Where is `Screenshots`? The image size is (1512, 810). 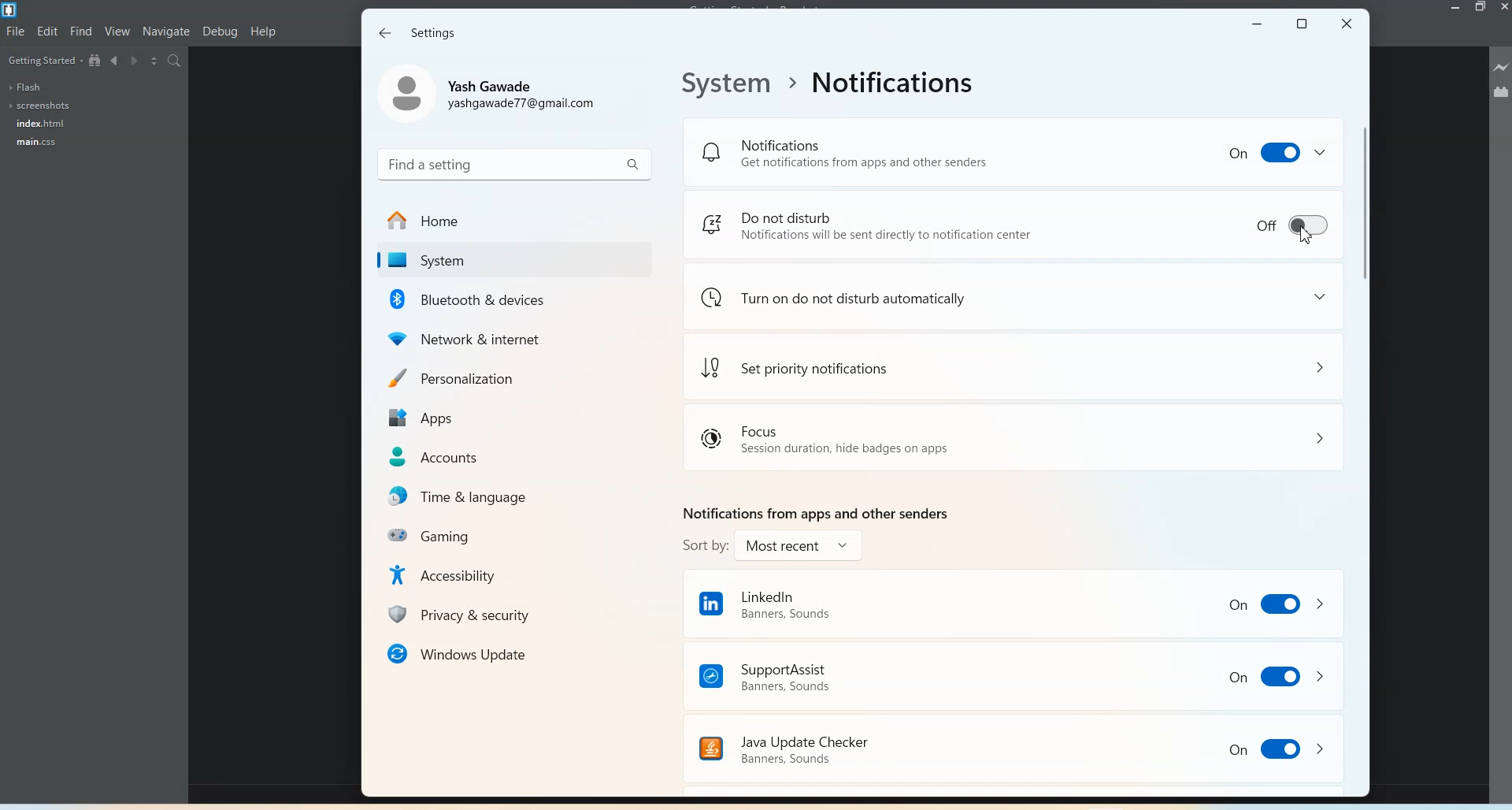 Screenshots is located at coordinates (41, 106).